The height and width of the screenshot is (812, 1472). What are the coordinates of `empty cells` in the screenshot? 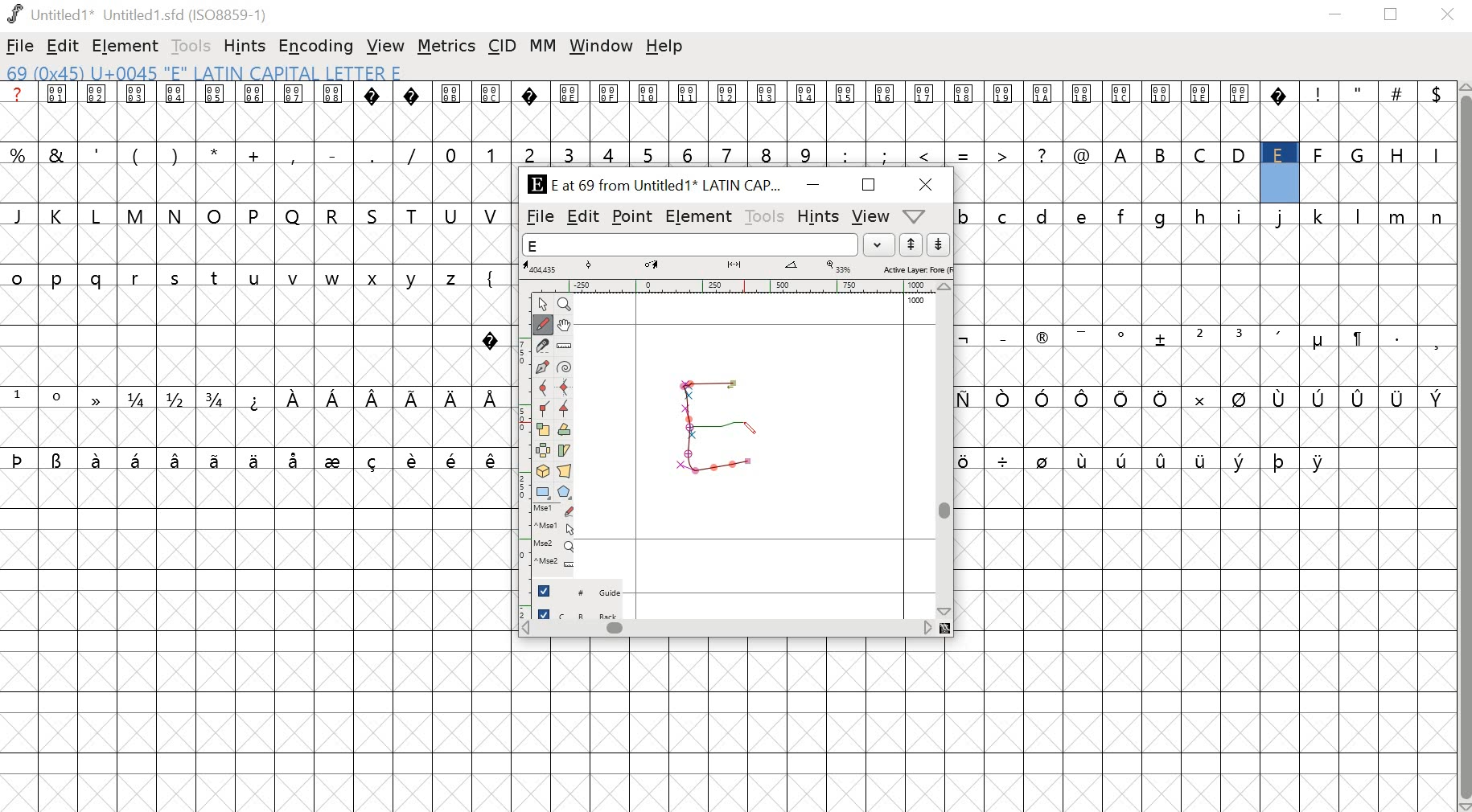 It's located at (1207, 640).